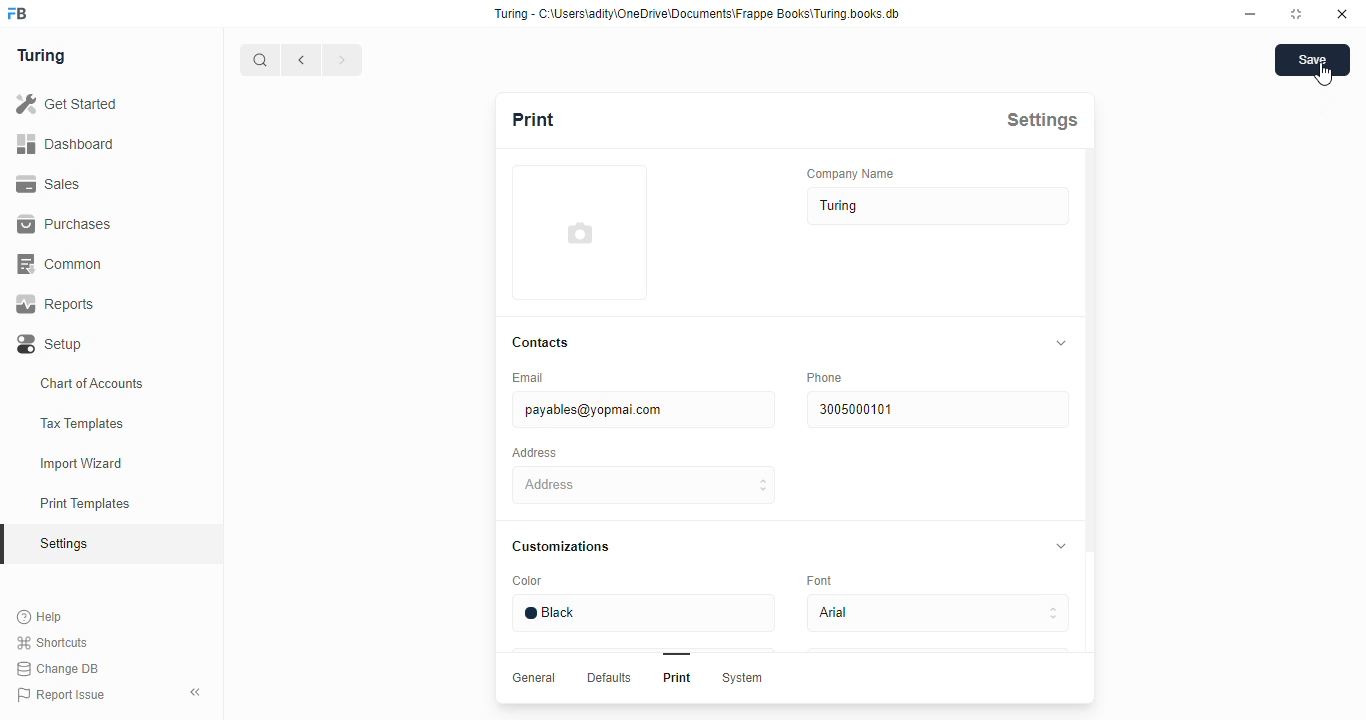 This screenshot has height=720, width=1366. I want to click on forward, so click(343, 59).